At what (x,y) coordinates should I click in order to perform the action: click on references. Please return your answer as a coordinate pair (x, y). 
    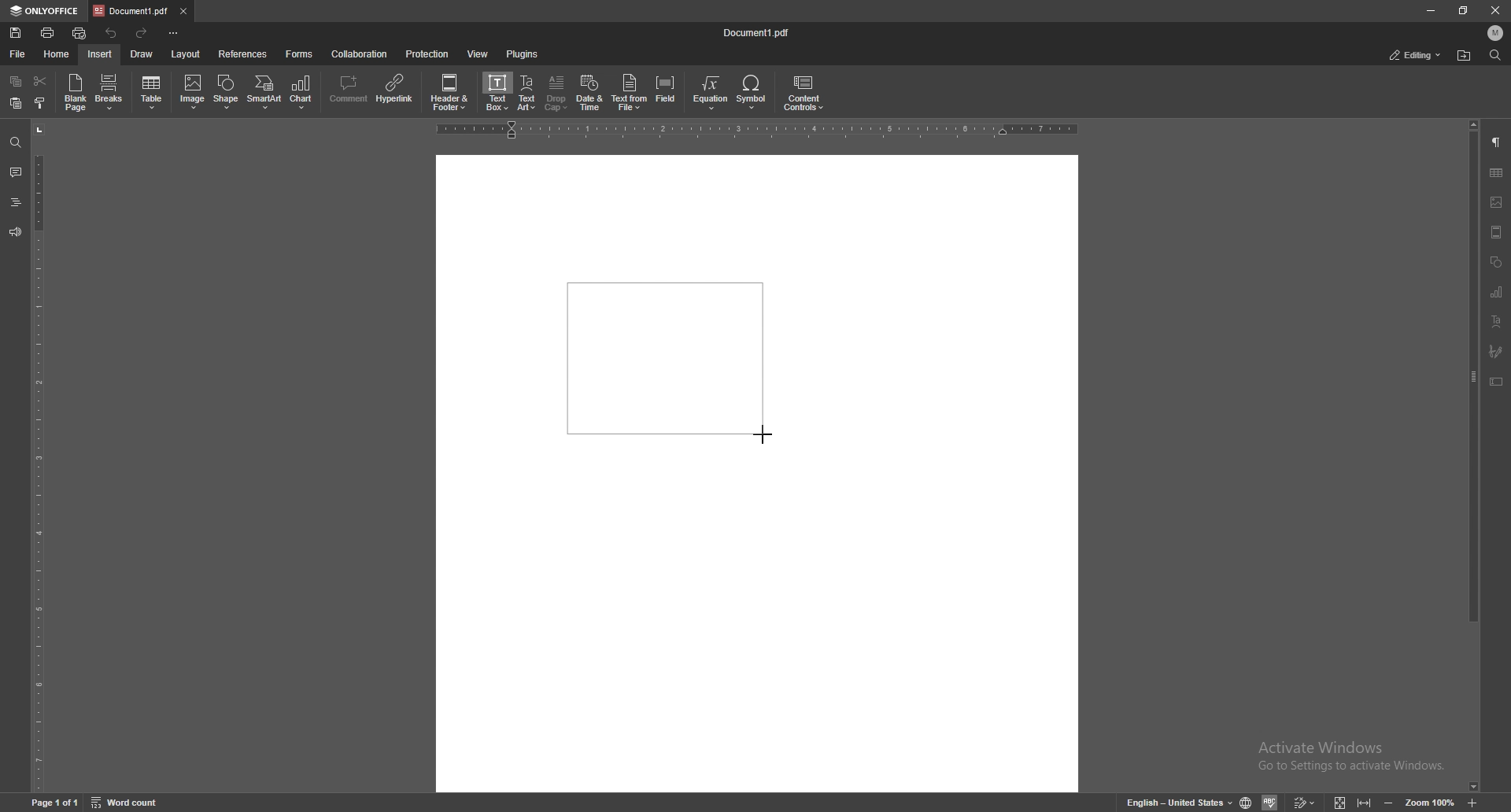
    Looking at the image, I should click on (243, 54).